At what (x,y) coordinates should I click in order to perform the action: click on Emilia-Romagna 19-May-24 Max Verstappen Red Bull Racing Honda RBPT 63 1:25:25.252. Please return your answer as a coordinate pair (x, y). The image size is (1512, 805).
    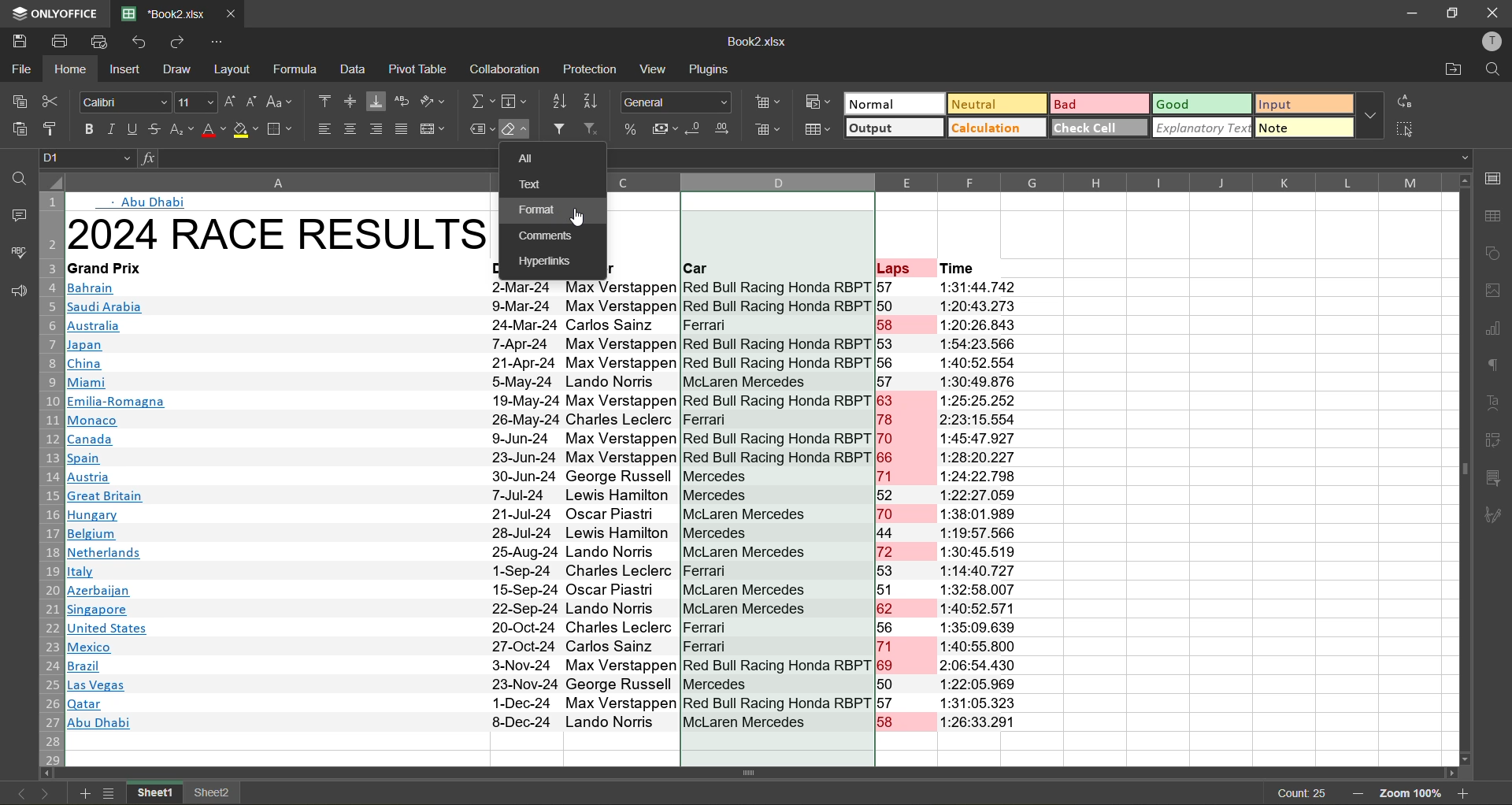
    Looking at the image, I should click on (545, 400).